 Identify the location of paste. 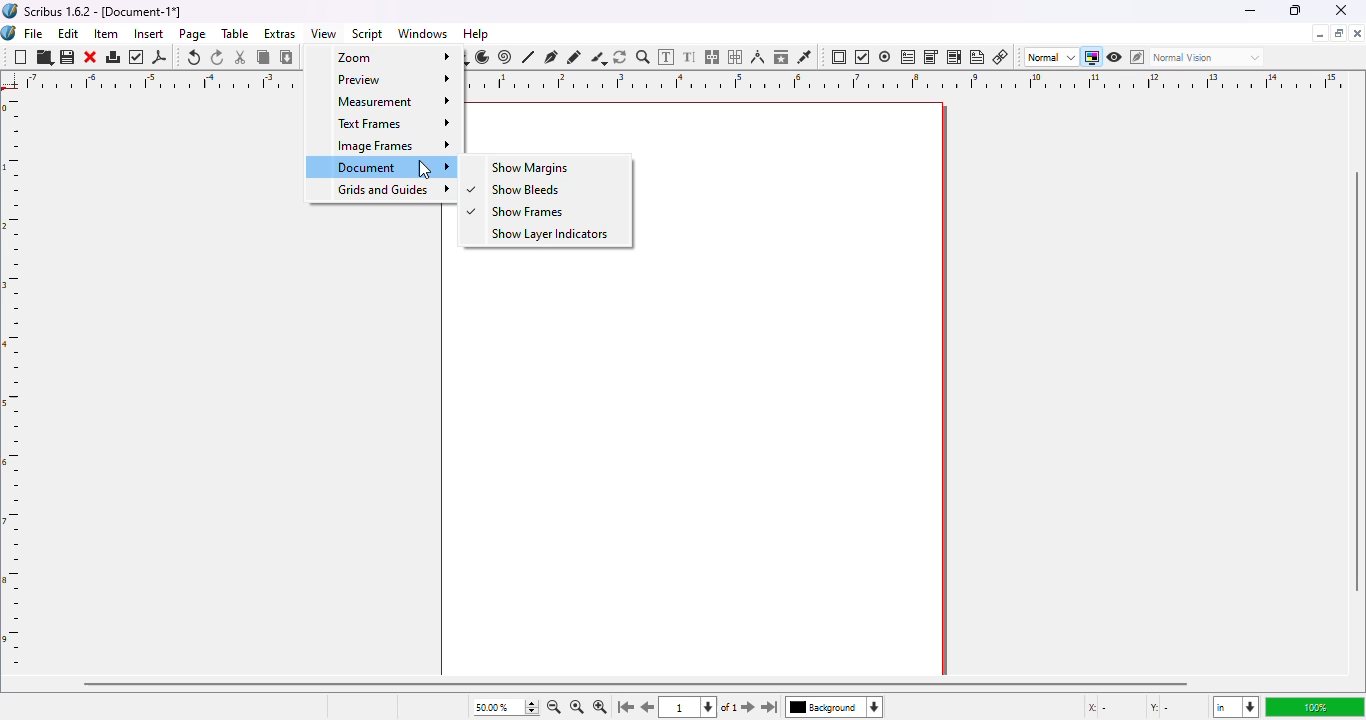
(287, 57).